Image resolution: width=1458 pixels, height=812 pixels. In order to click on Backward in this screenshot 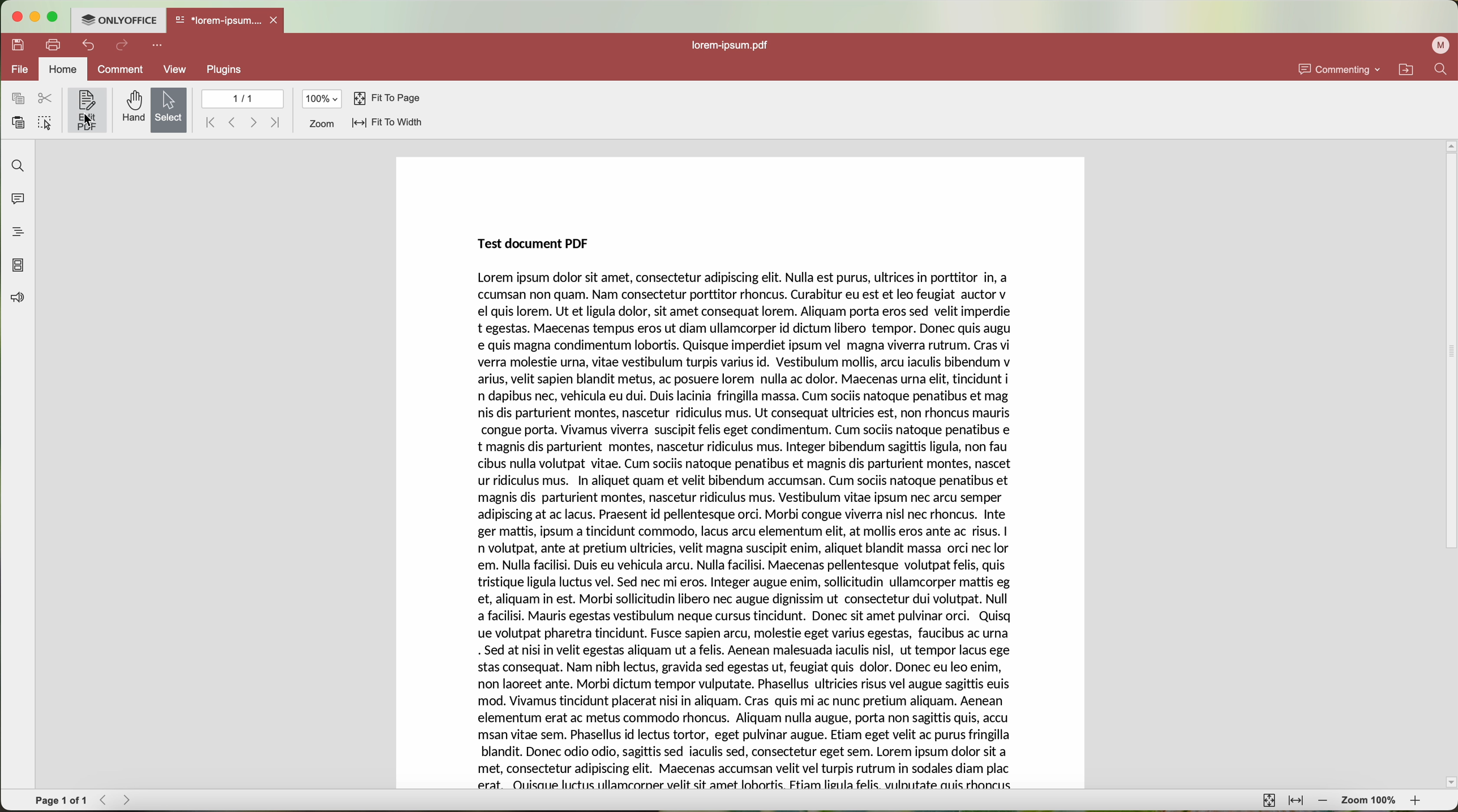, I will do `click(230, 123)`.